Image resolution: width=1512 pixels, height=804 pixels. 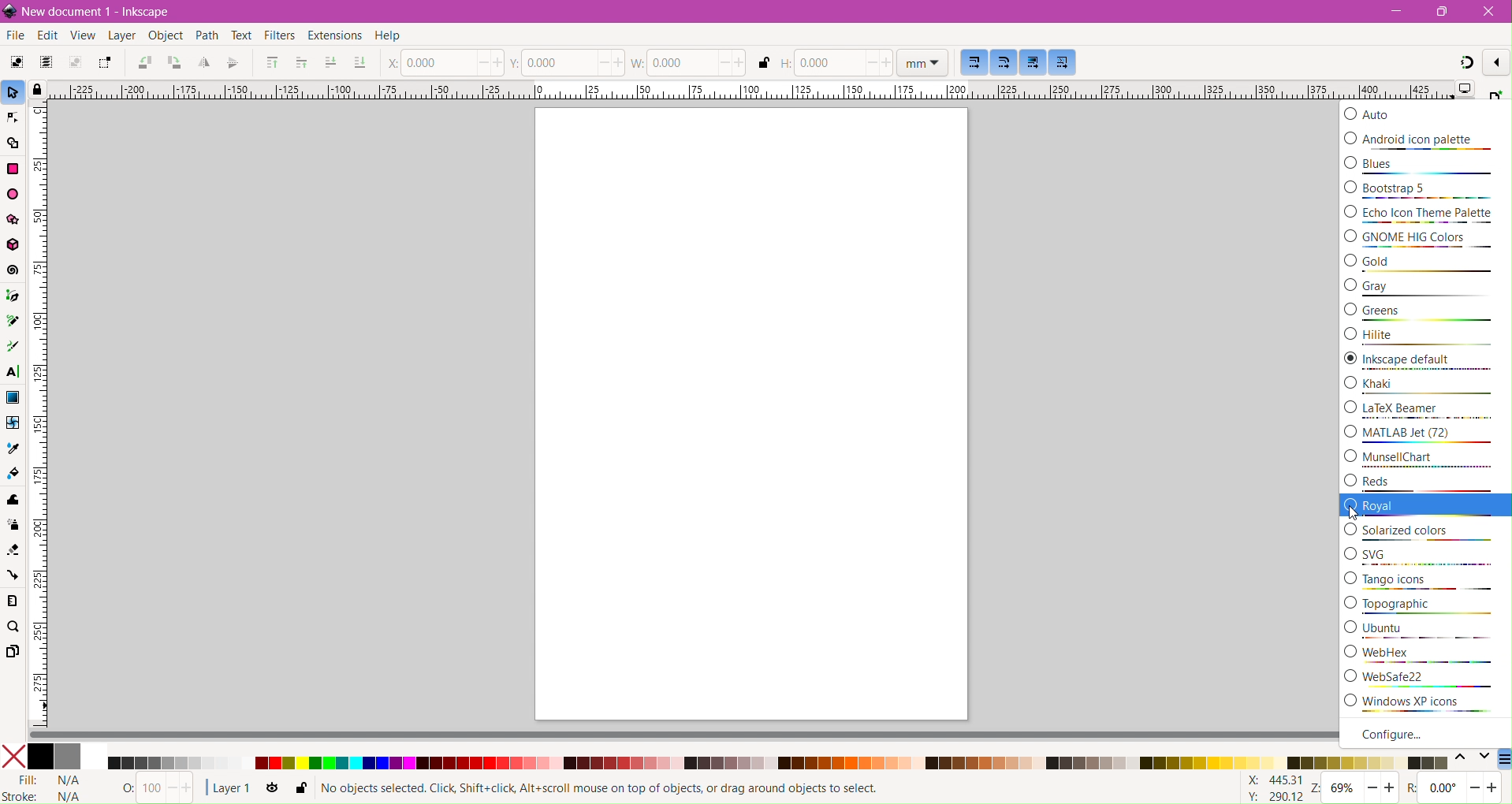 What do you see at coordinates (1488, 11) in the screenshot?
I see `Close` at bounding box center [1488, 11].